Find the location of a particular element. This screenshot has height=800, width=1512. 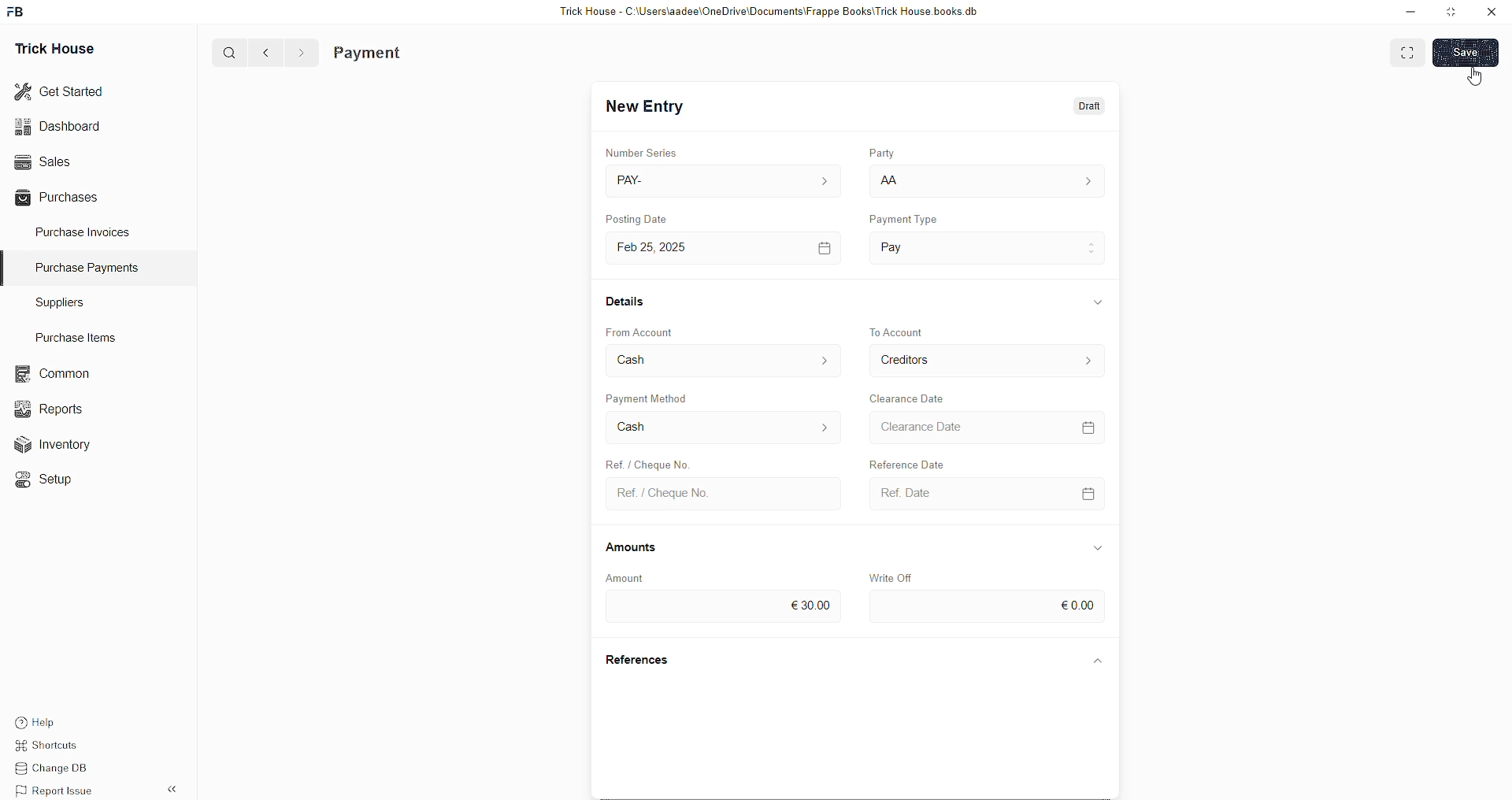

Reference Date is located at coordinates (905, 461).